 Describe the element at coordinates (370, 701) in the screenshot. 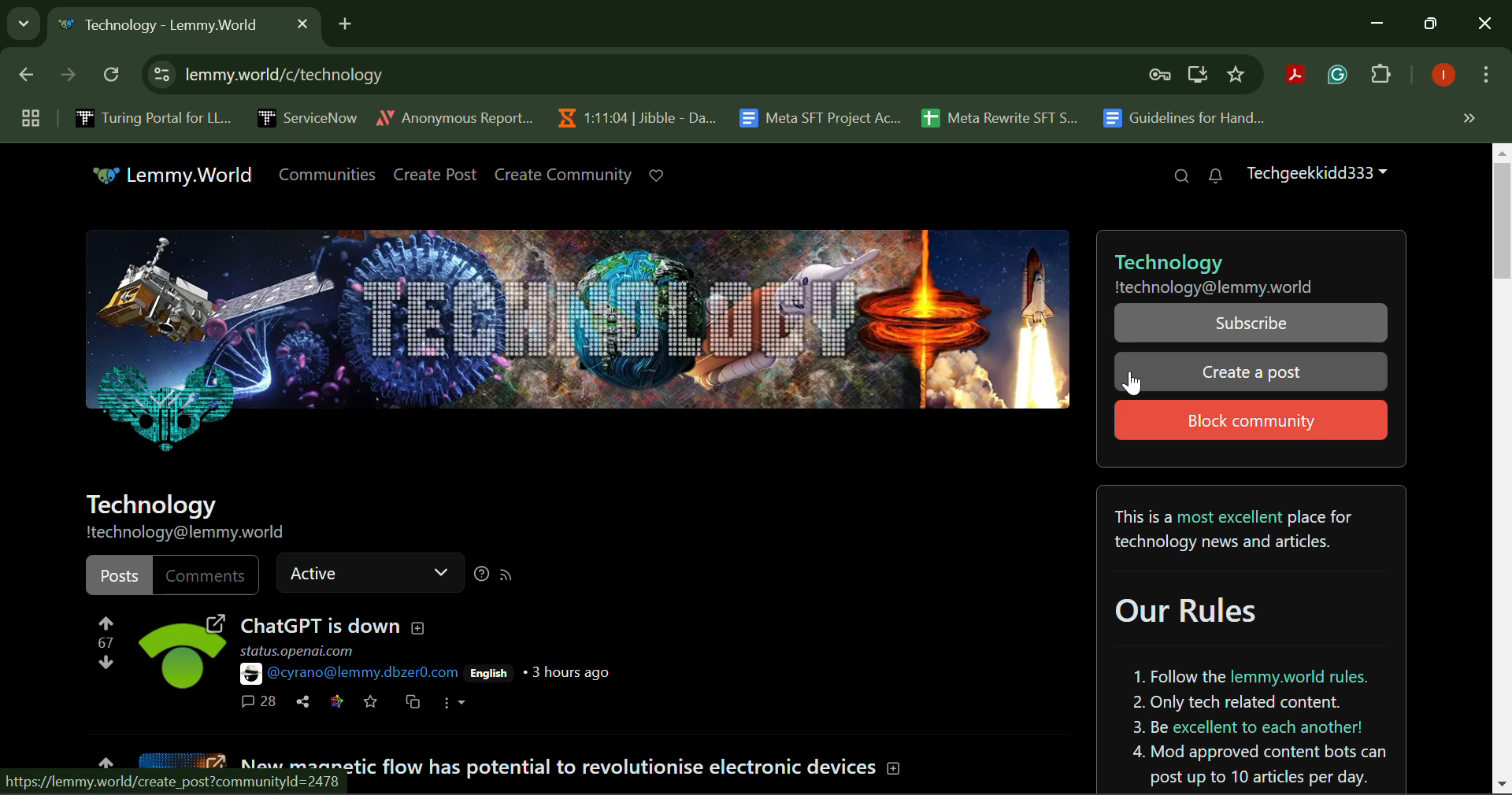

I see `Save` at that location.